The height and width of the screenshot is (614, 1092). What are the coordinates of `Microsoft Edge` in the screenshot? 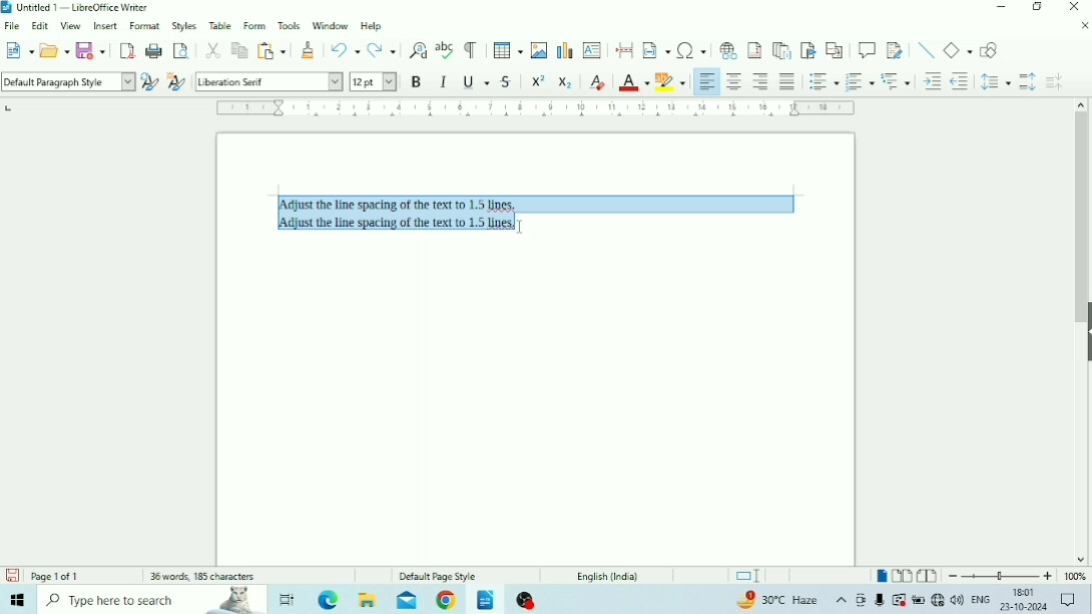 It's located at (328, 600).